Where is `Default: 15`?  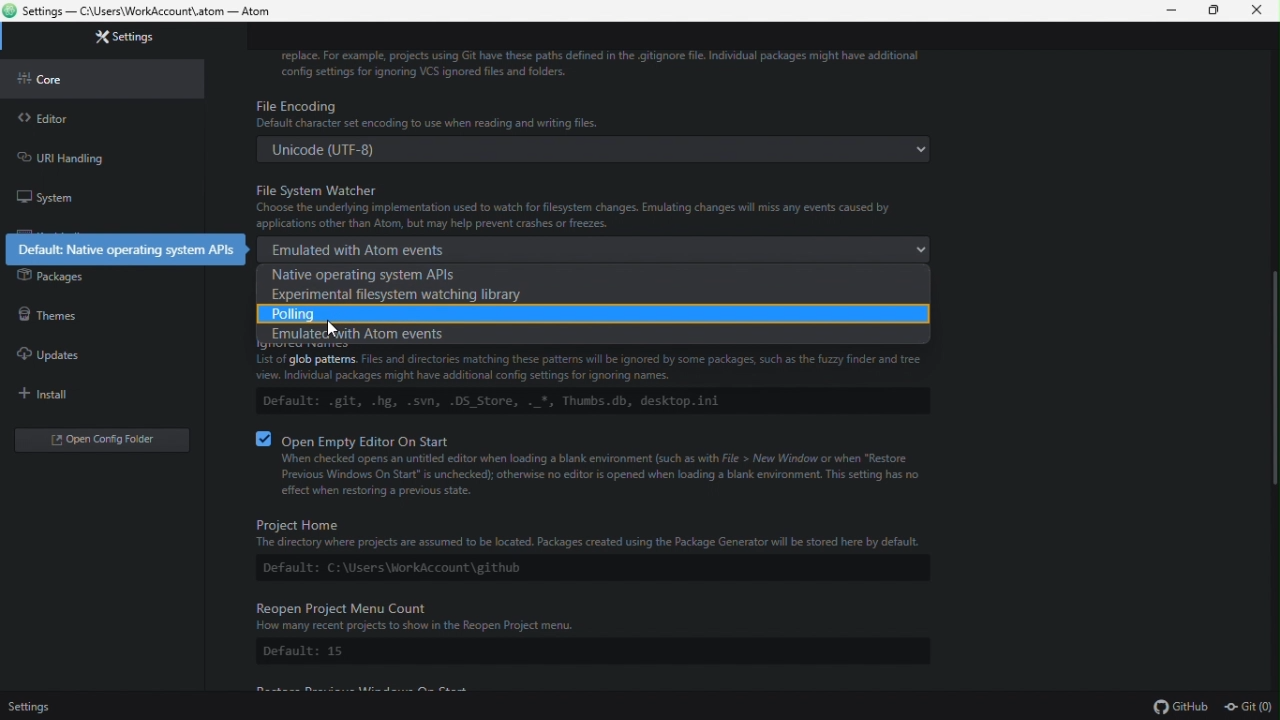 Default: 15 is located at coordinates (302, 653).